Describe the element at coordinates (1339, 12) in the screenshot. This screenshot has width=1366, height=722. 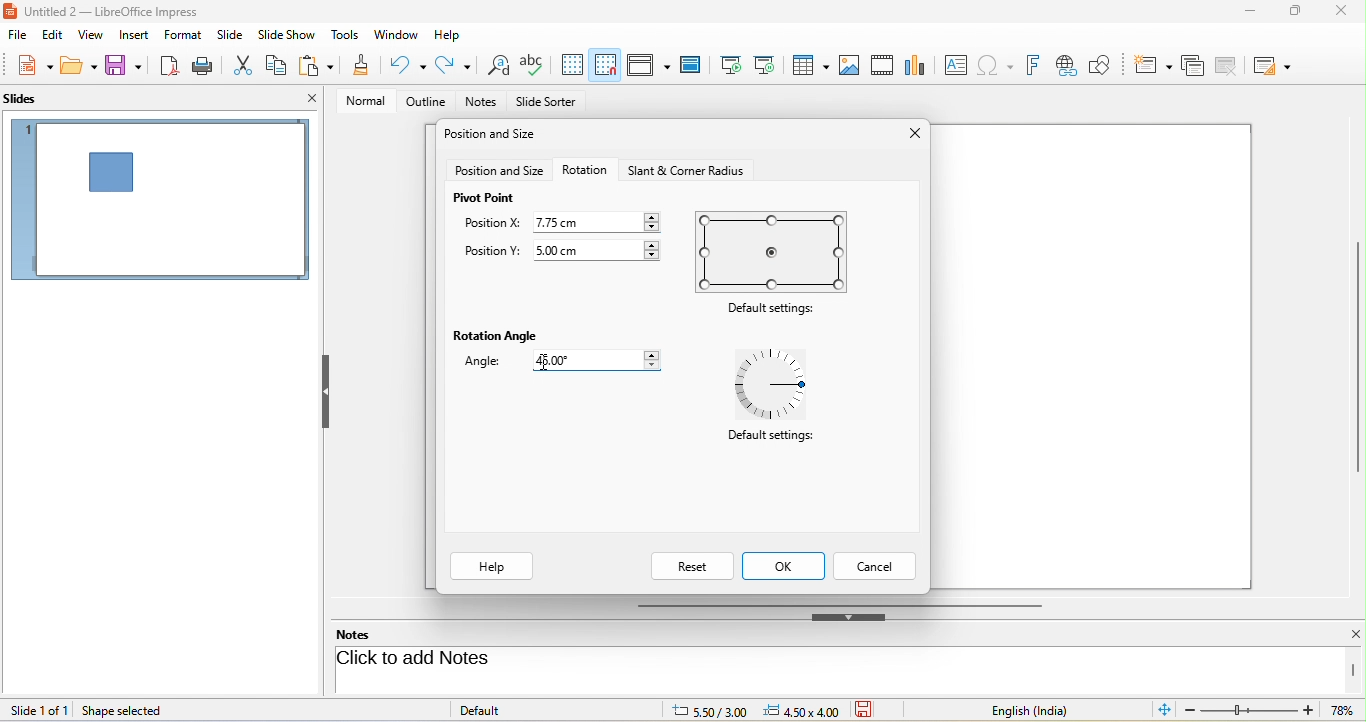
I see `close` at that location.